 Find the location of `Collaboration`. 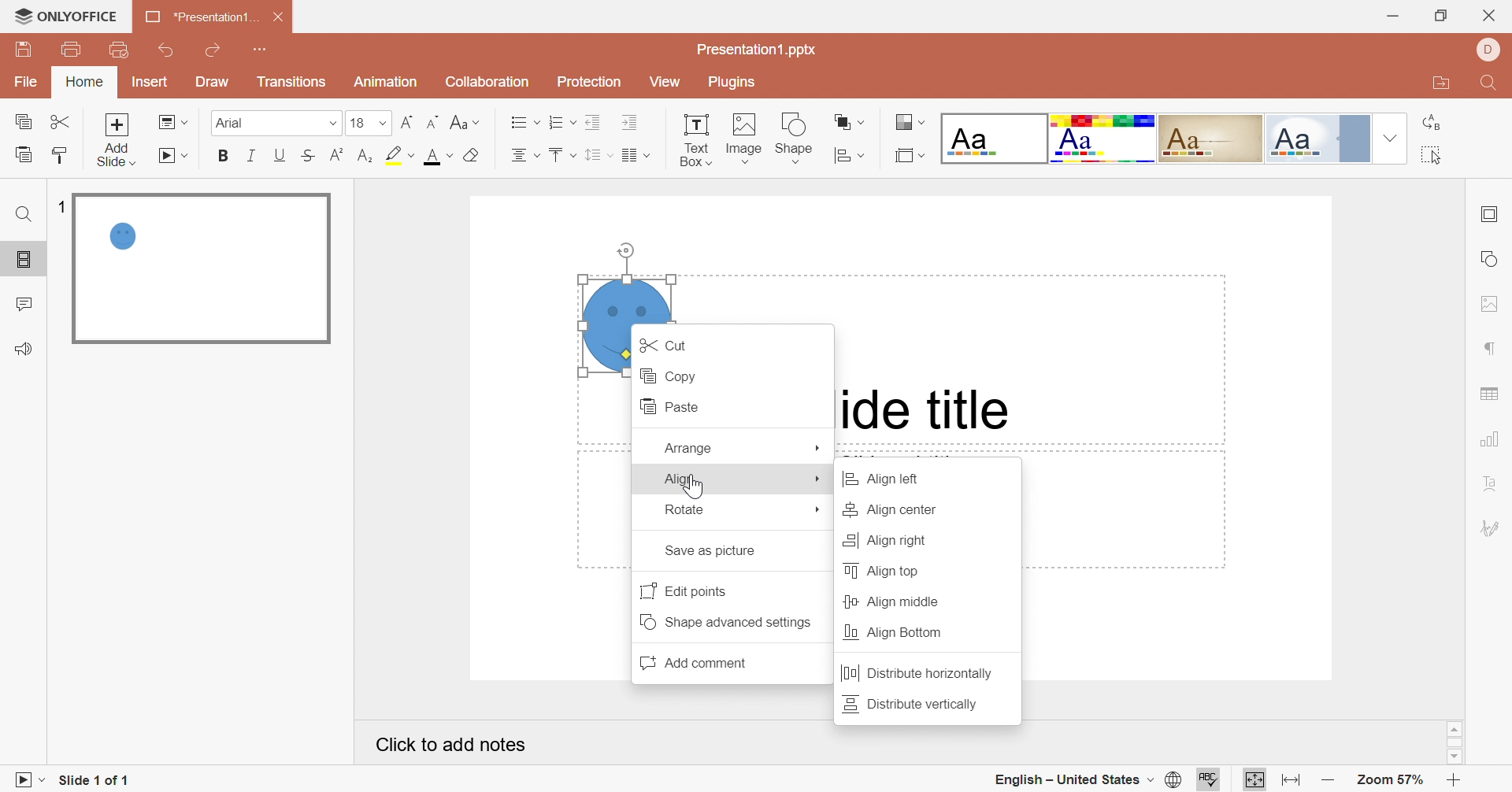

Collaboration is located at coordinates (484, 82).